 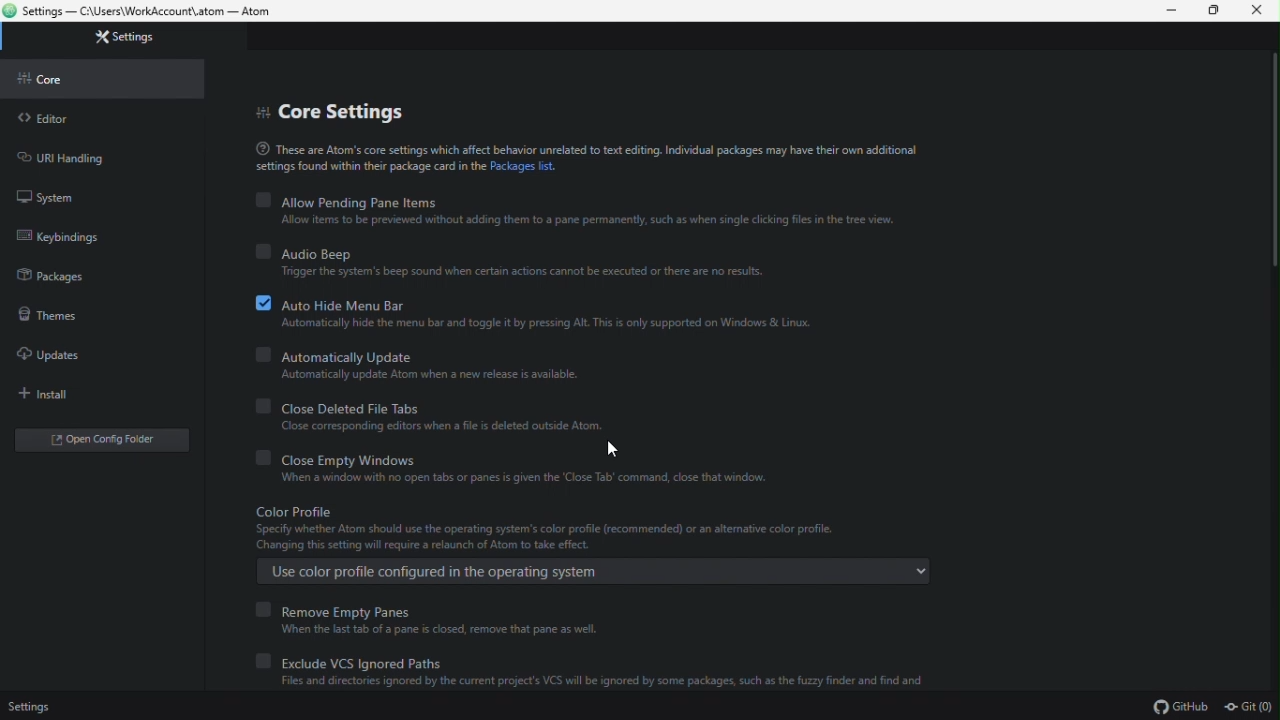 What do you see at coordinates (555, 323) in the screenshot?
I see `‘Automatically hide the men bar and togale t by pressing AR. Thi is only supported on Windows & Linux` at bounding box center [555, 323].